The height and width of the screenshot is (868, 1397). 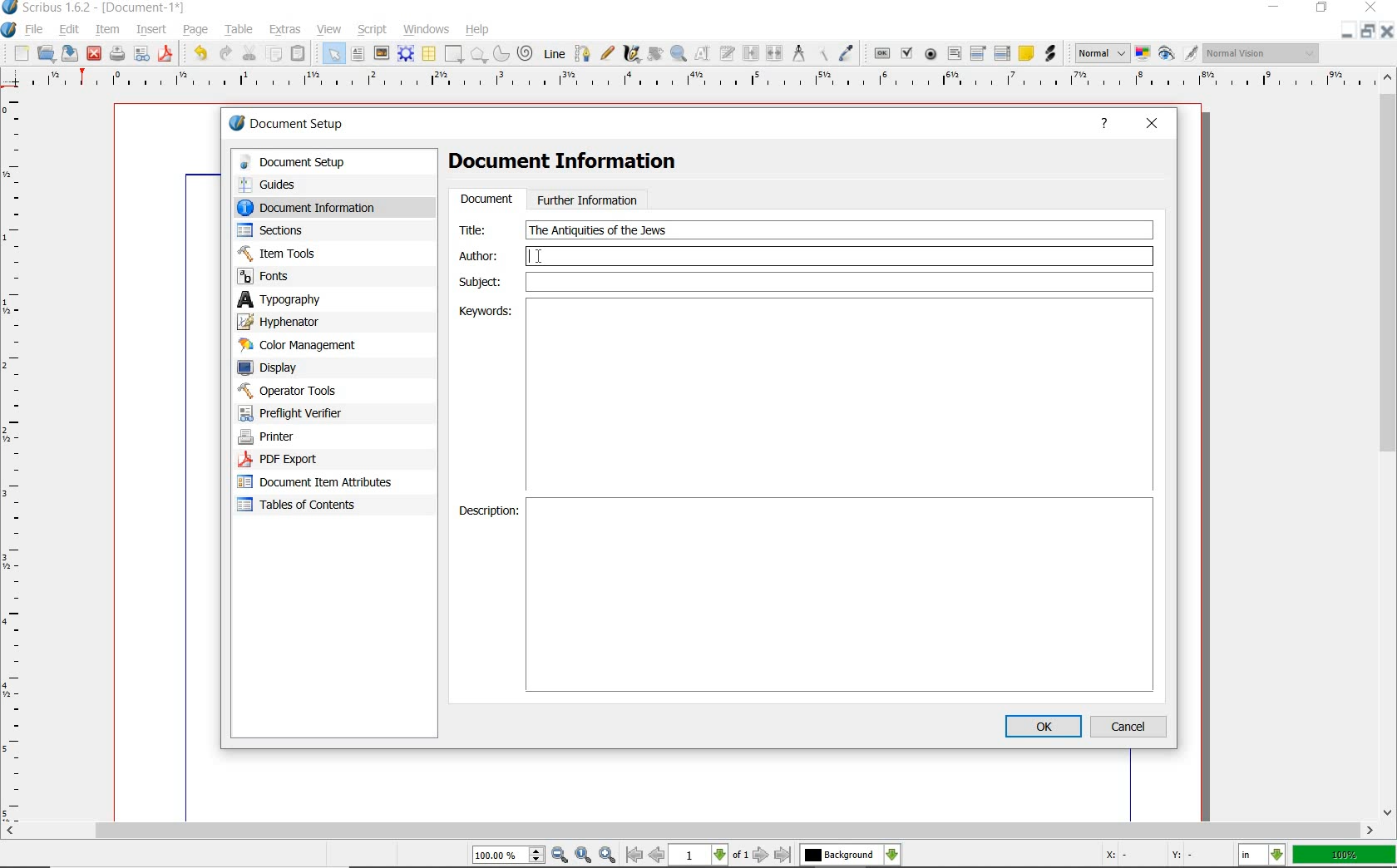 I want to click on Description, so click(x=486, y=512).